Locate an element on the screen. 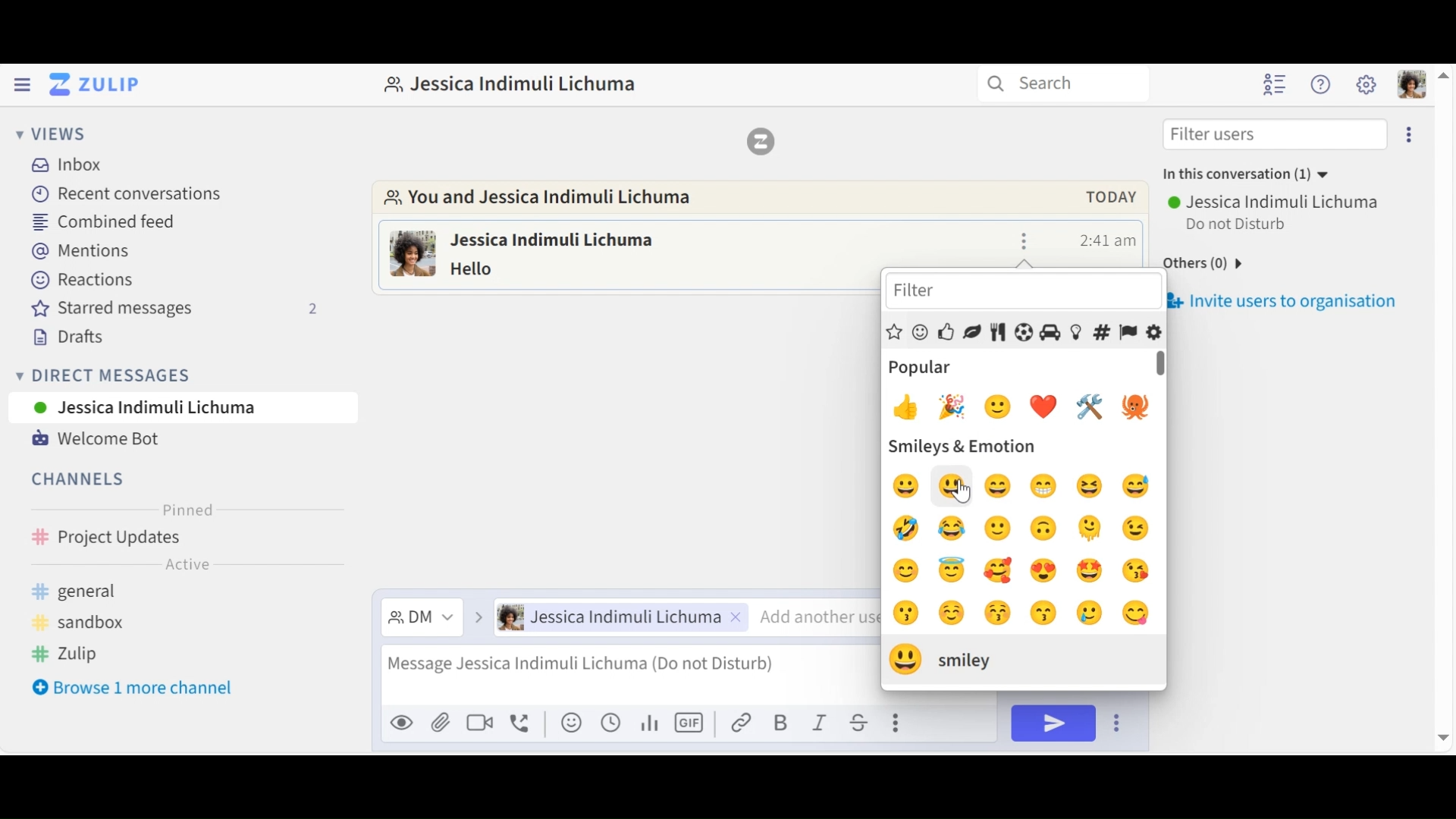 This screenshot has height=819, width=1456. Travel and Places is located at coordinates (1050, 333).